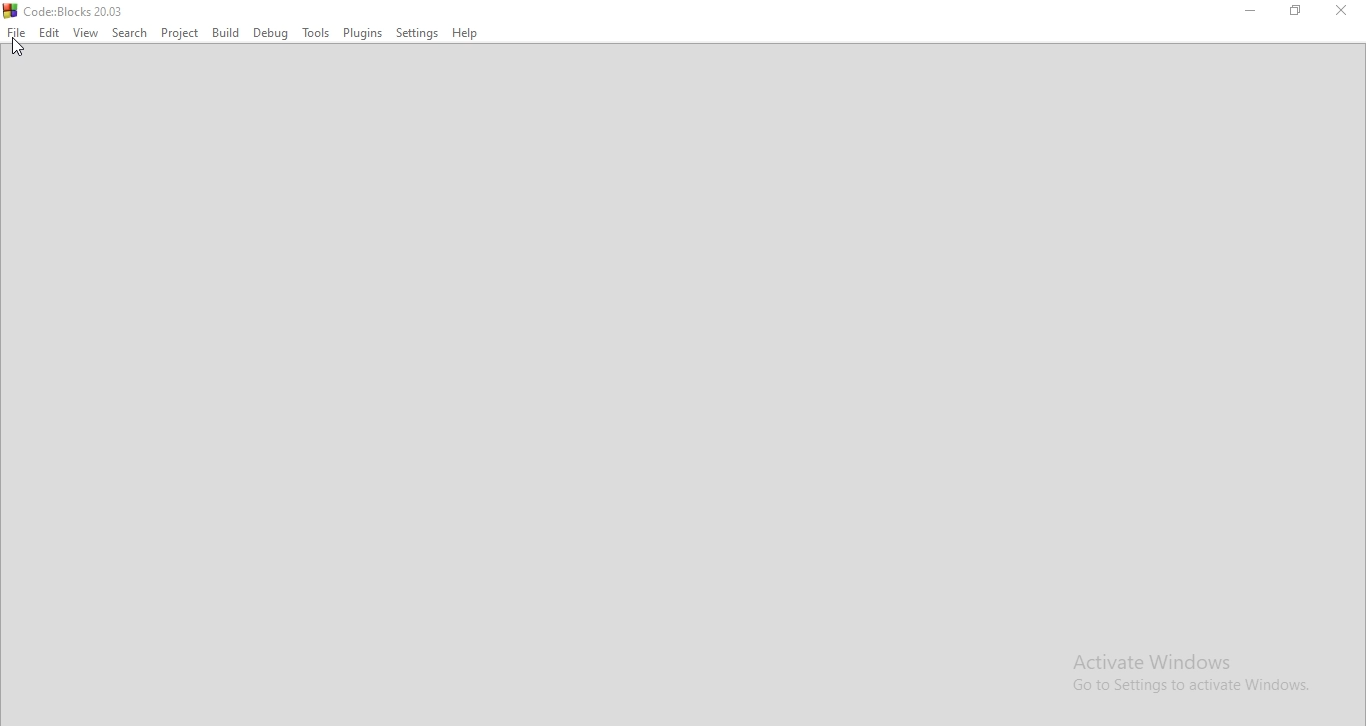 The width and height of the screenshot is (1366, 726). Describe the element at coordinates (1295, 11) in the screenshot. I see `Restore` at that location.